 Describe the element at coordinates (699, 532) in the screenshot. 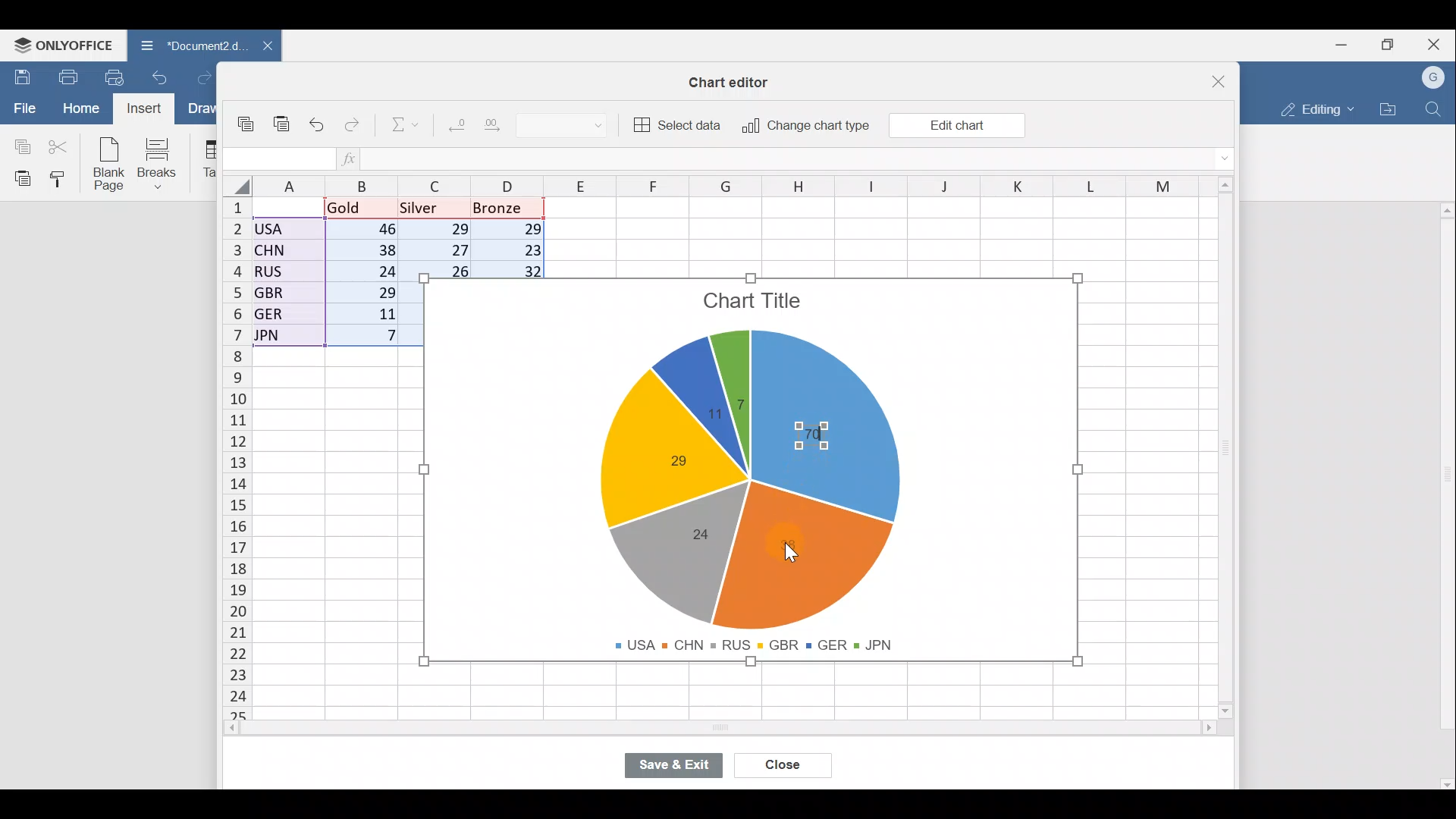

I see `Chart label` at that location.